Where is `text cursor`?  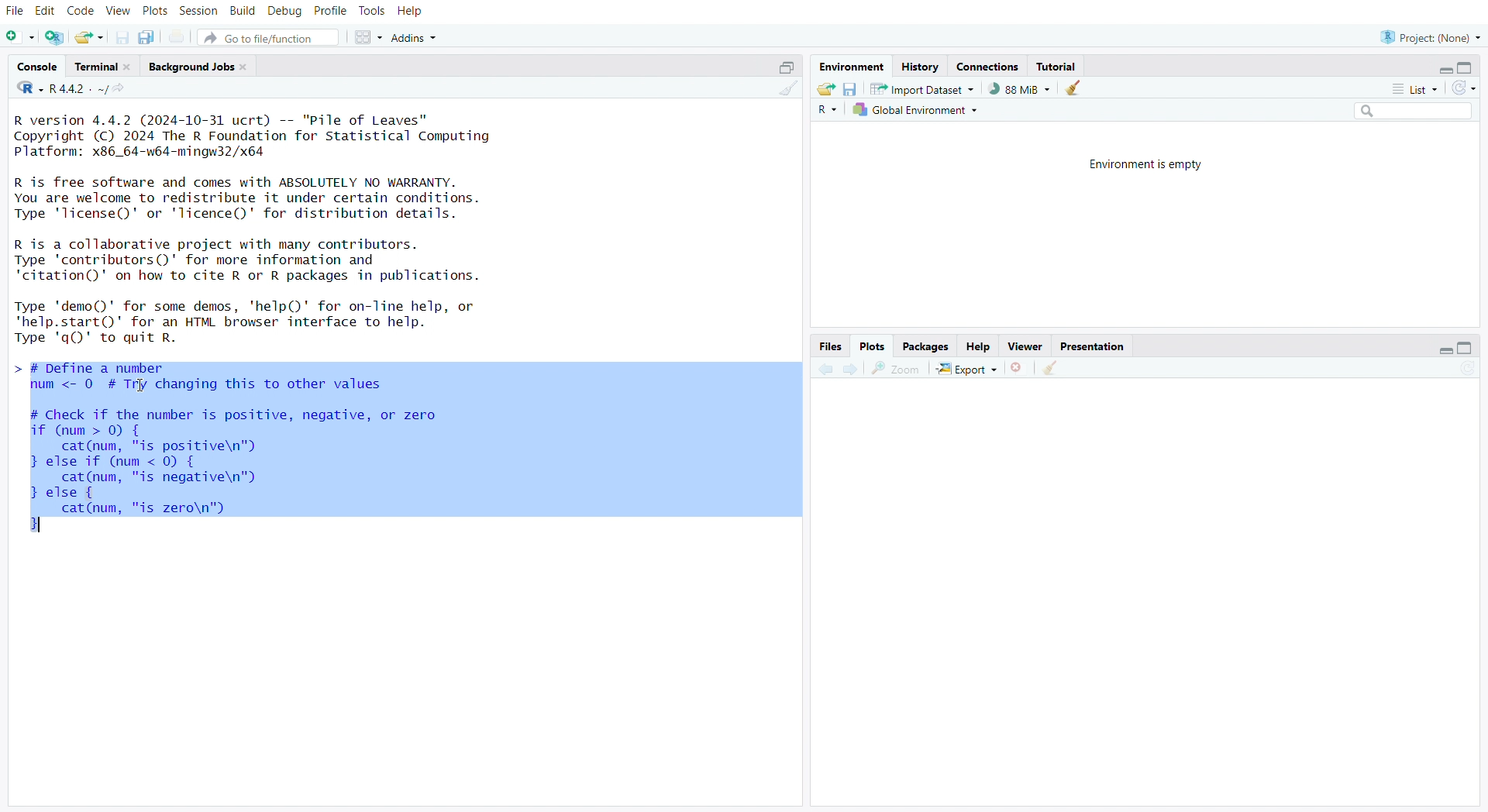
text cursor is located at coordinates (45, 525).